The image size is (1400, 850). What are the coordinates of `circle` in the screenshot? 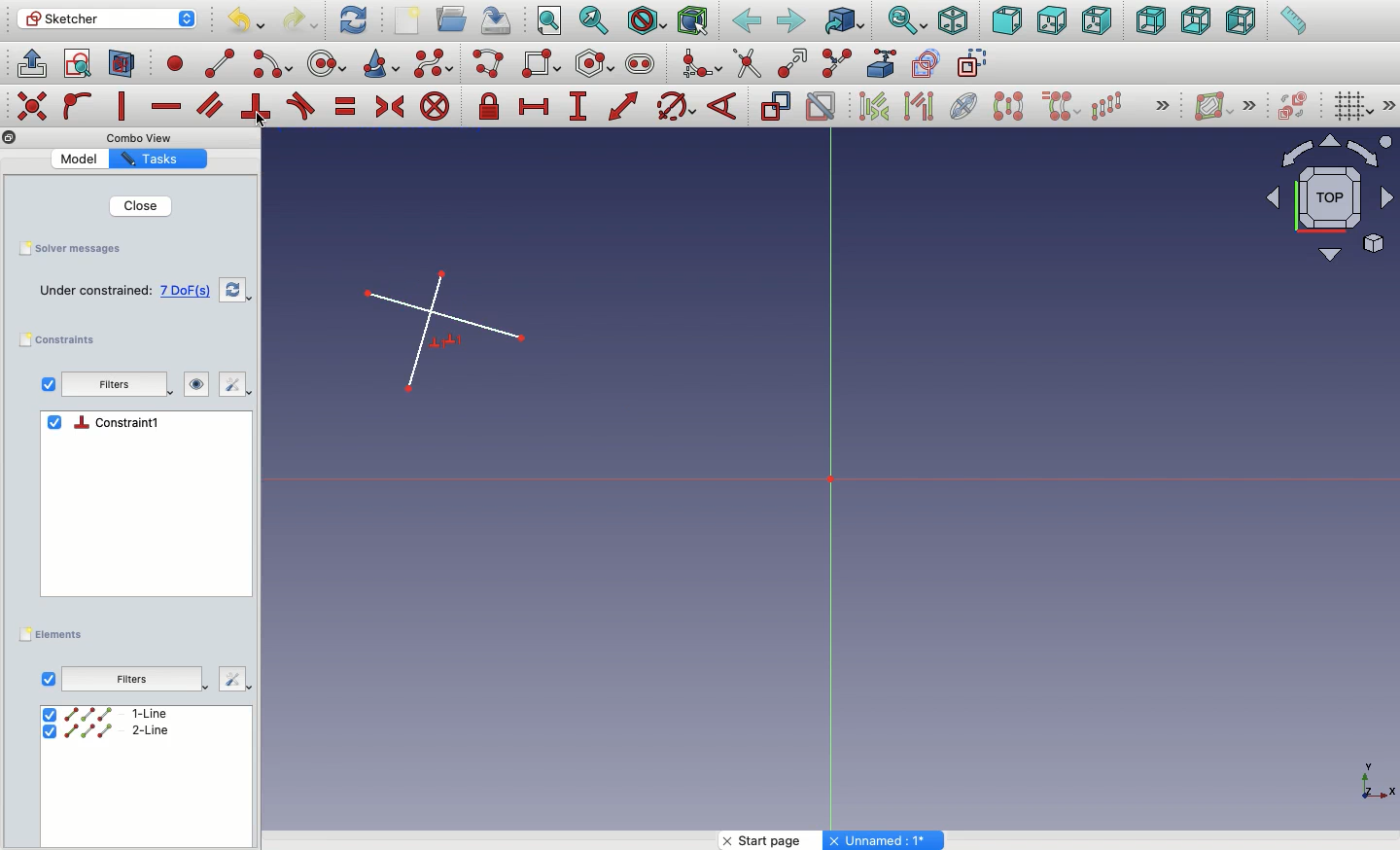 It's located at (328, 63).